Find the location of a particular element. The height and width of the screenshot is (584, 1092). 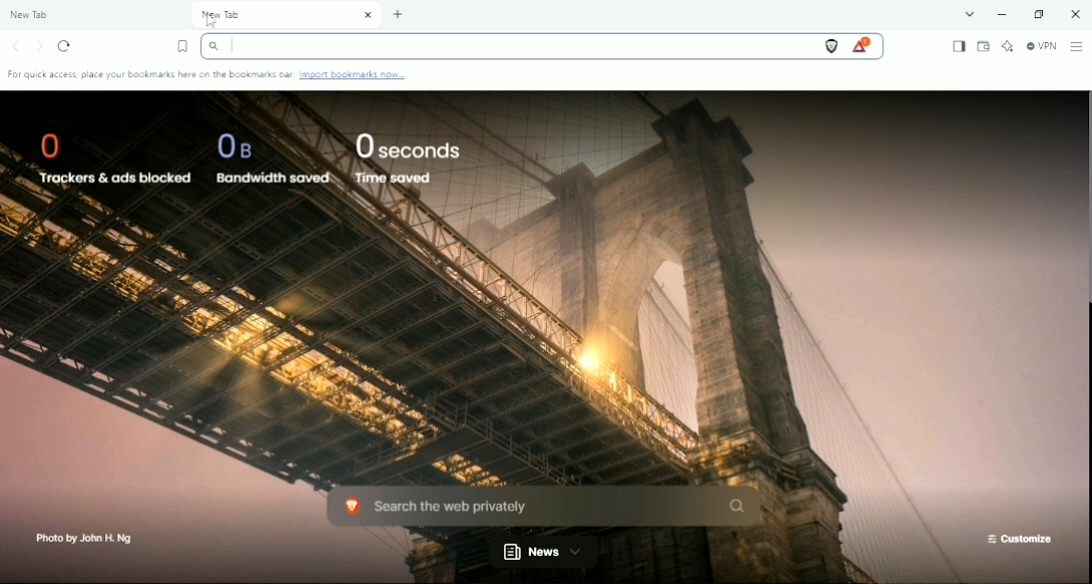

For quick access, place your bookmarks here on the bookmarks bar. Import bookmarks now.. is located at coordinates (212, 75).